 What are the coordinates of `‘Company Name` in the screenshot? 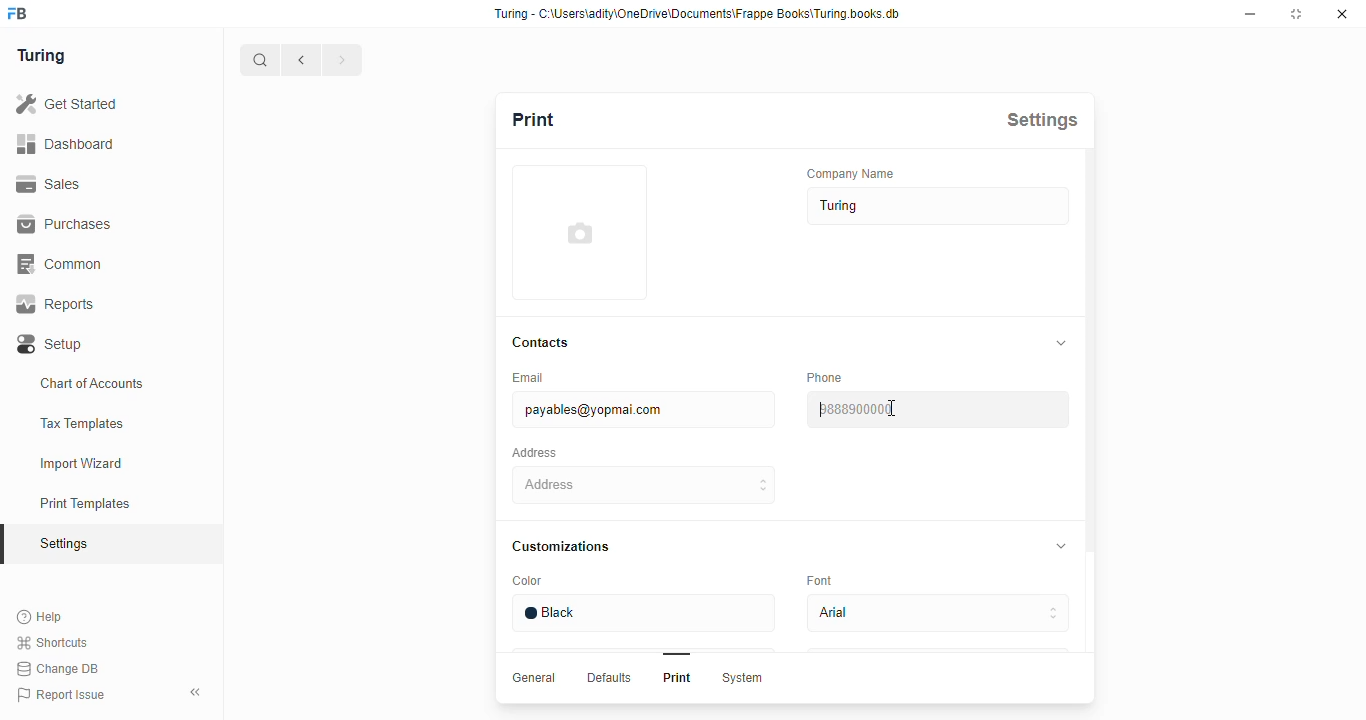 It's located at (853, 175).